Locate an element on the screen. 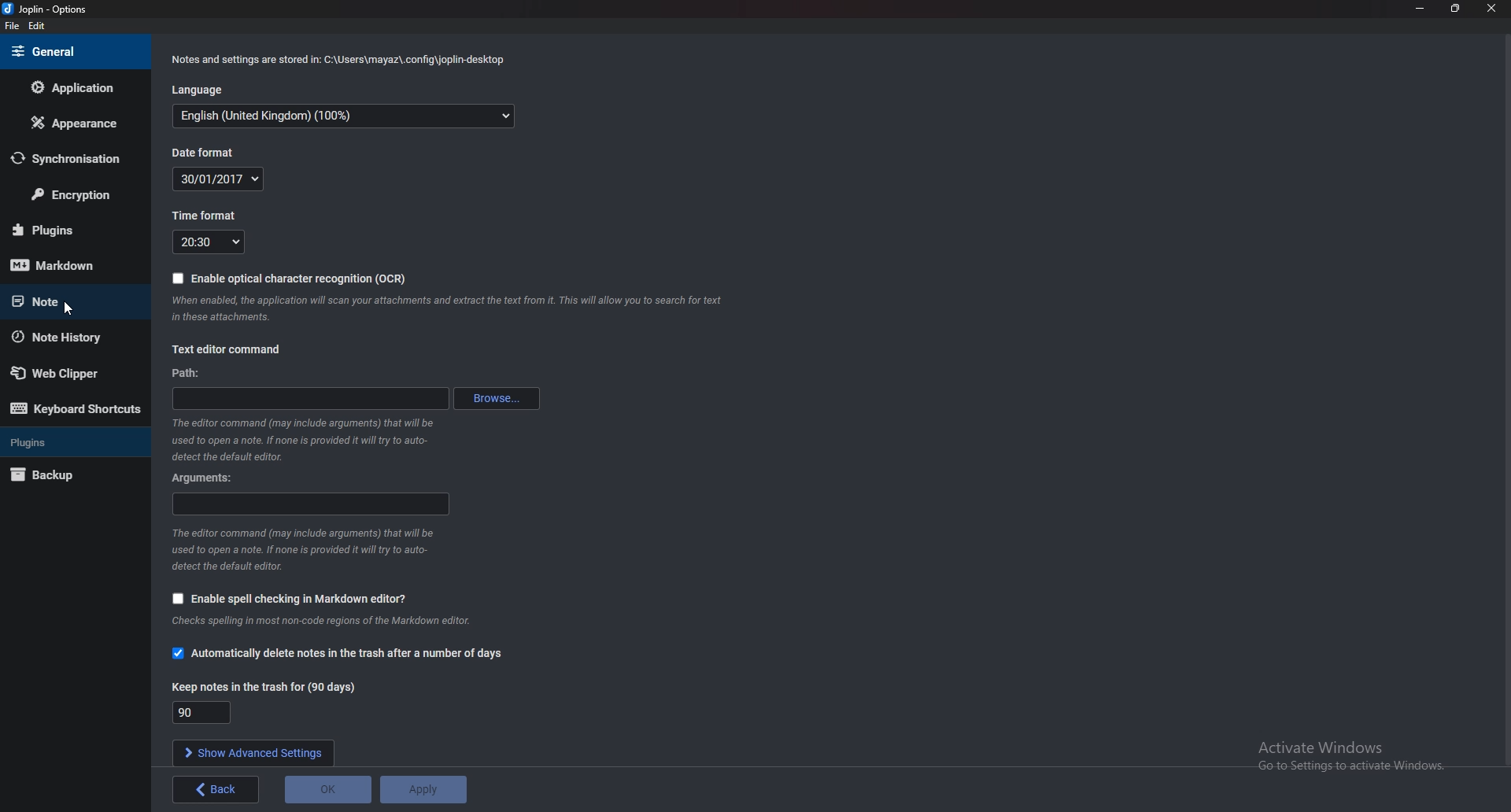 The height and width of the screenshot is (812, 1511). Info is located at coordinates (450, 309).